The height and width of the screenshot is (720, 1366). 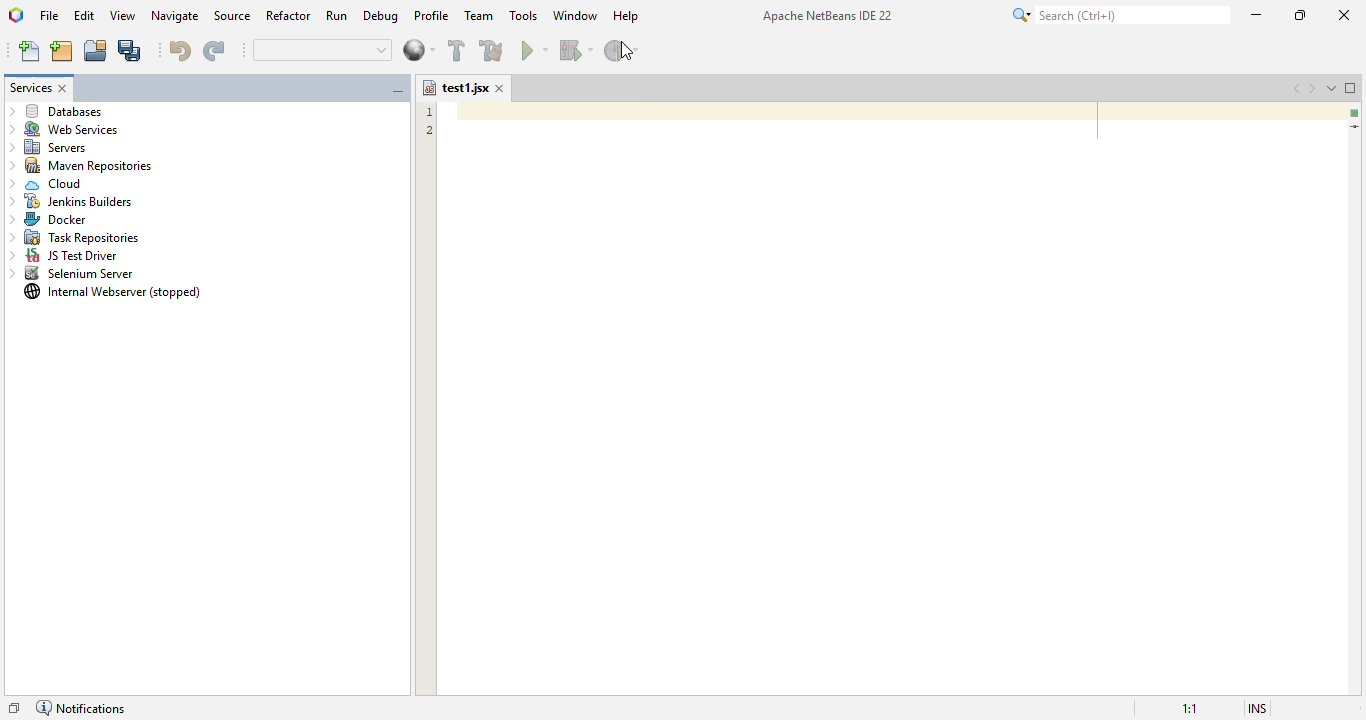 What do you see at coordinates (1257, 14) in the screenshot?
I see `minimize` at bounding box center [1257, 14].